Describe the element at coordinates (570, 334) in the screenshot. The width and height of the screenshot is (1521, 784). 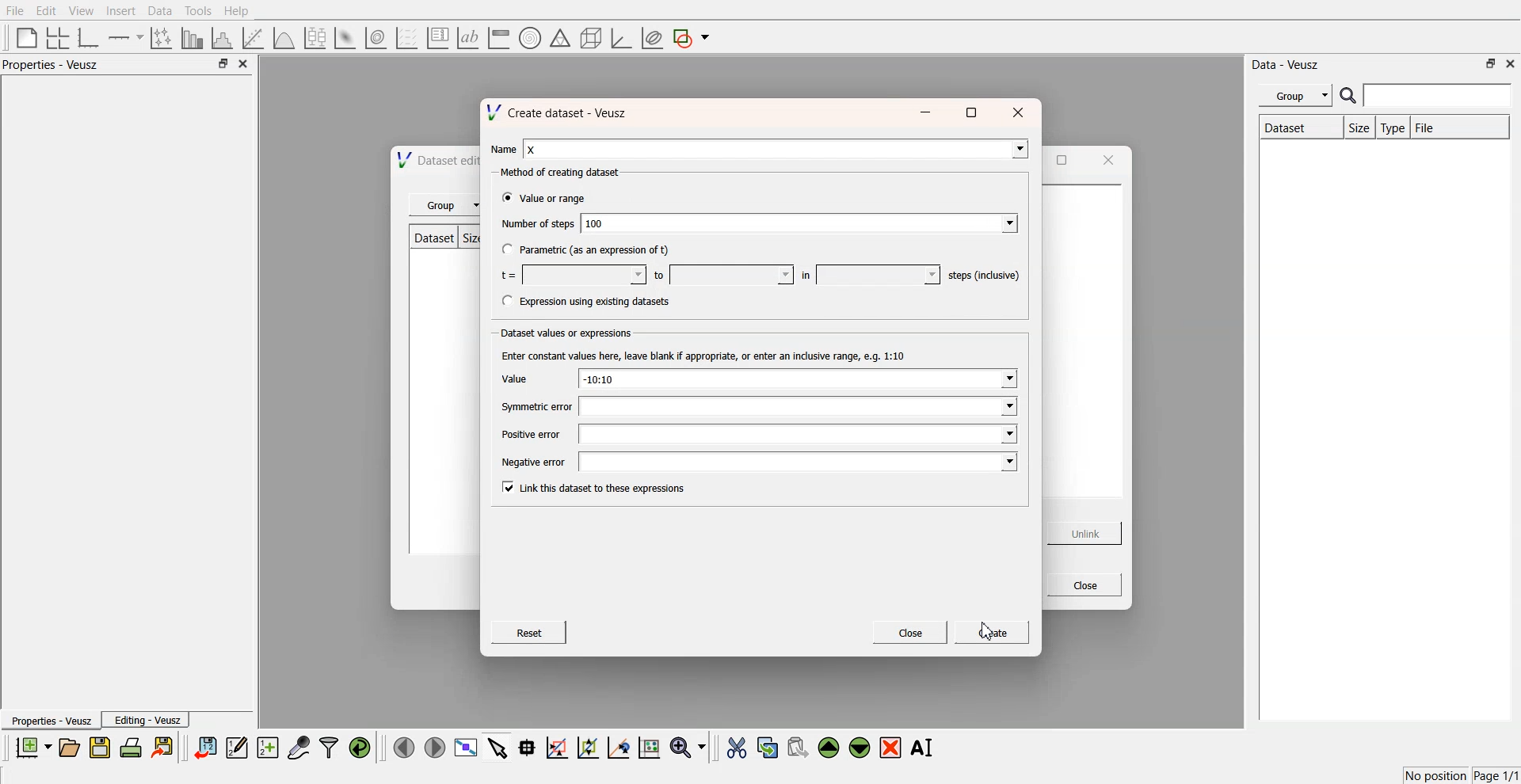
I see `Dataset values or expressions` at that location.